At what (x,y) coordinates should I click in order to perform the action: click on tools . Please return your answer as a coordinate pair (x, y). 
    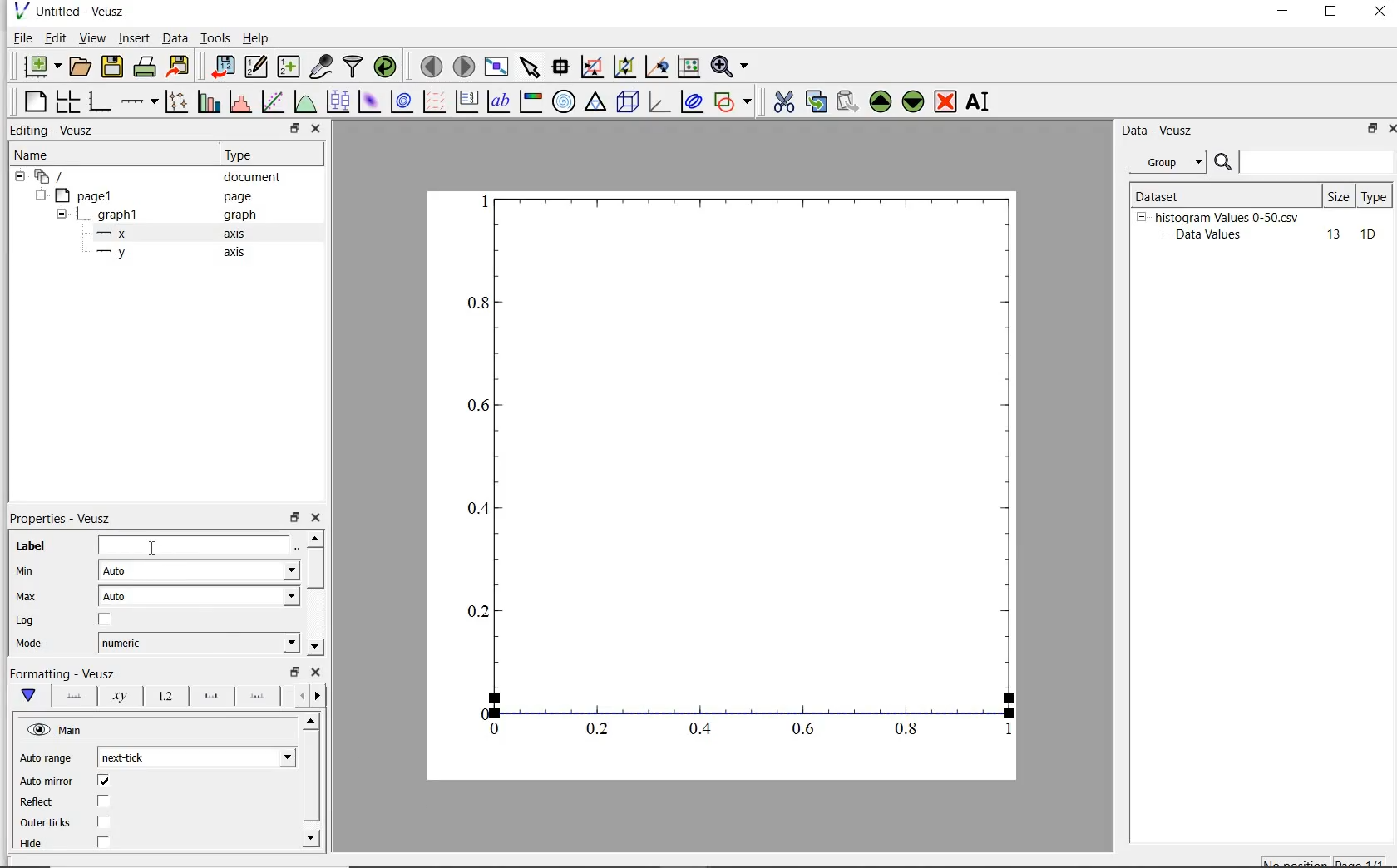
    Looking at the image, I should click on (216, 37).